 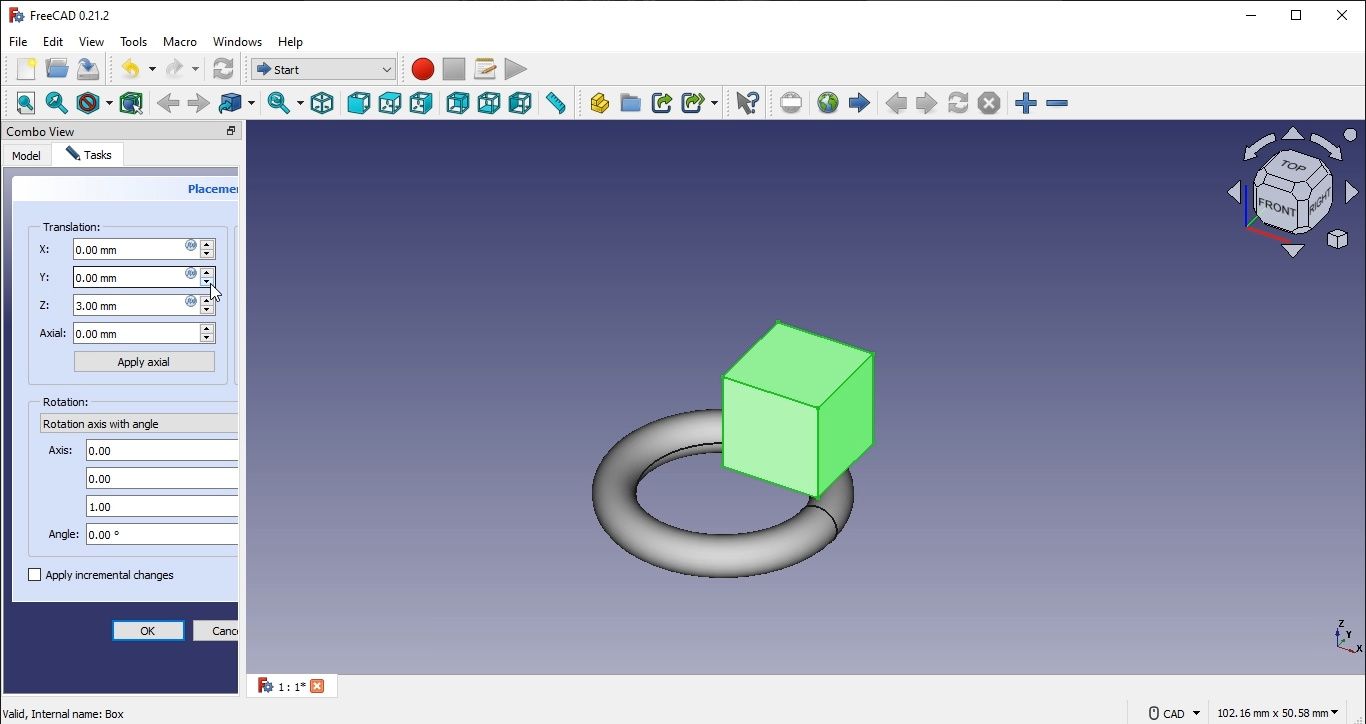 What do you see at coordinates (139, 68) in the screenshot?
I see `undo` at bounding box center [139, 68].